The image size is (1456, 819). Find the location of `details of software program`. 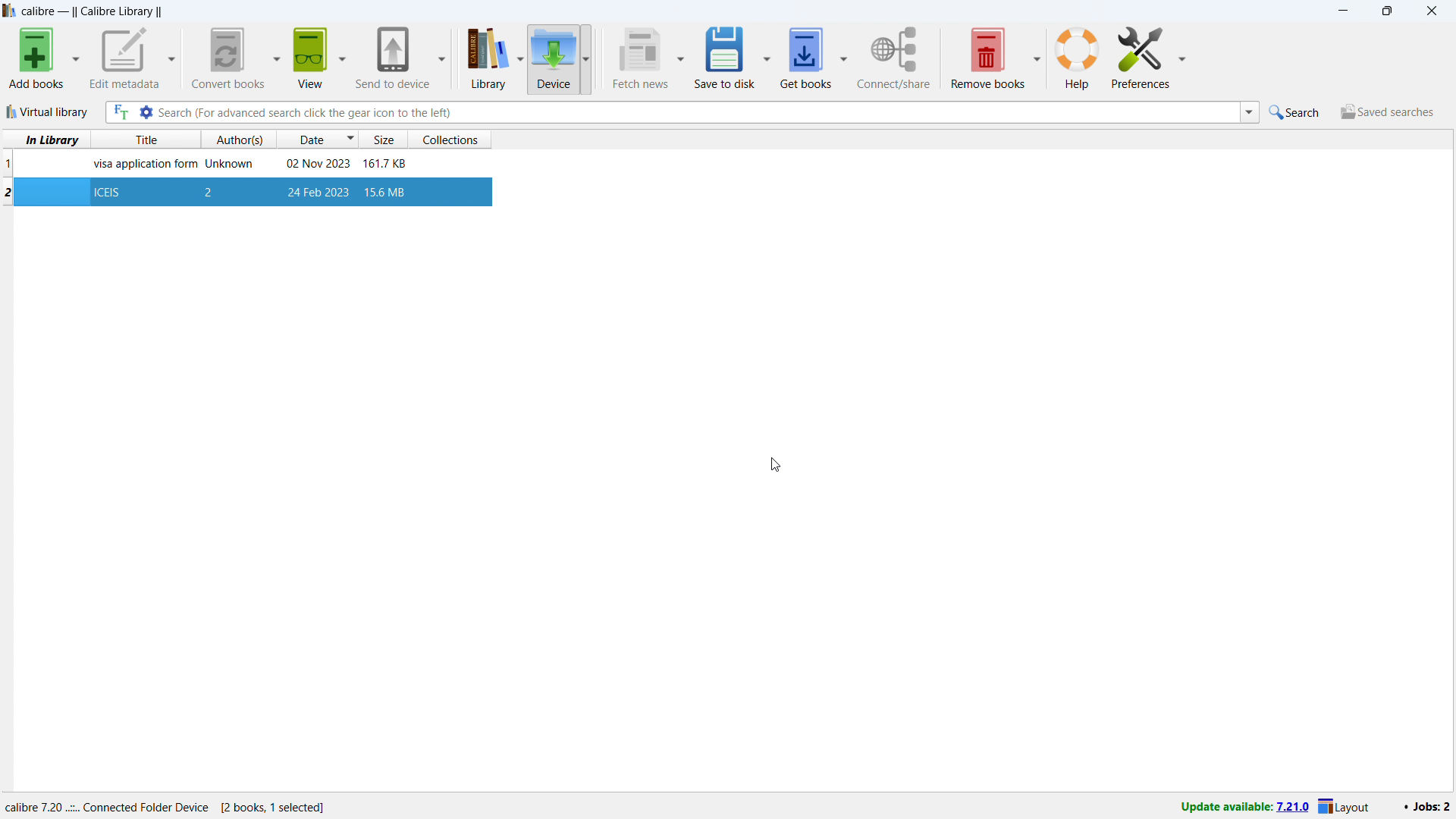

details of software program is located at coordinates (172, 804).